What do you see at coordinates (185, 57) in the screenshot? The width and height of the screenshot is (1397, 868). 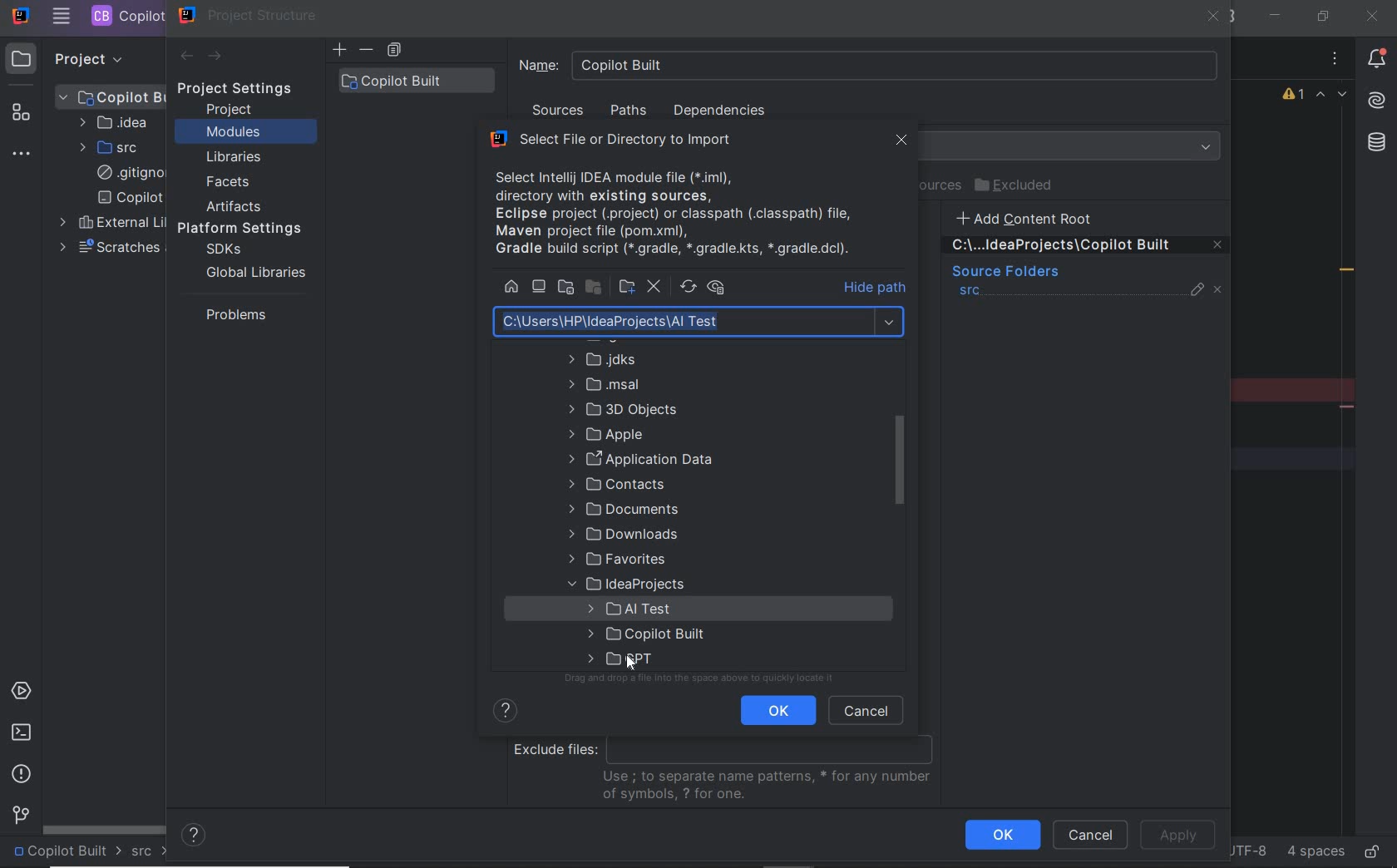 I see `back` at bounding box center [185, 57].